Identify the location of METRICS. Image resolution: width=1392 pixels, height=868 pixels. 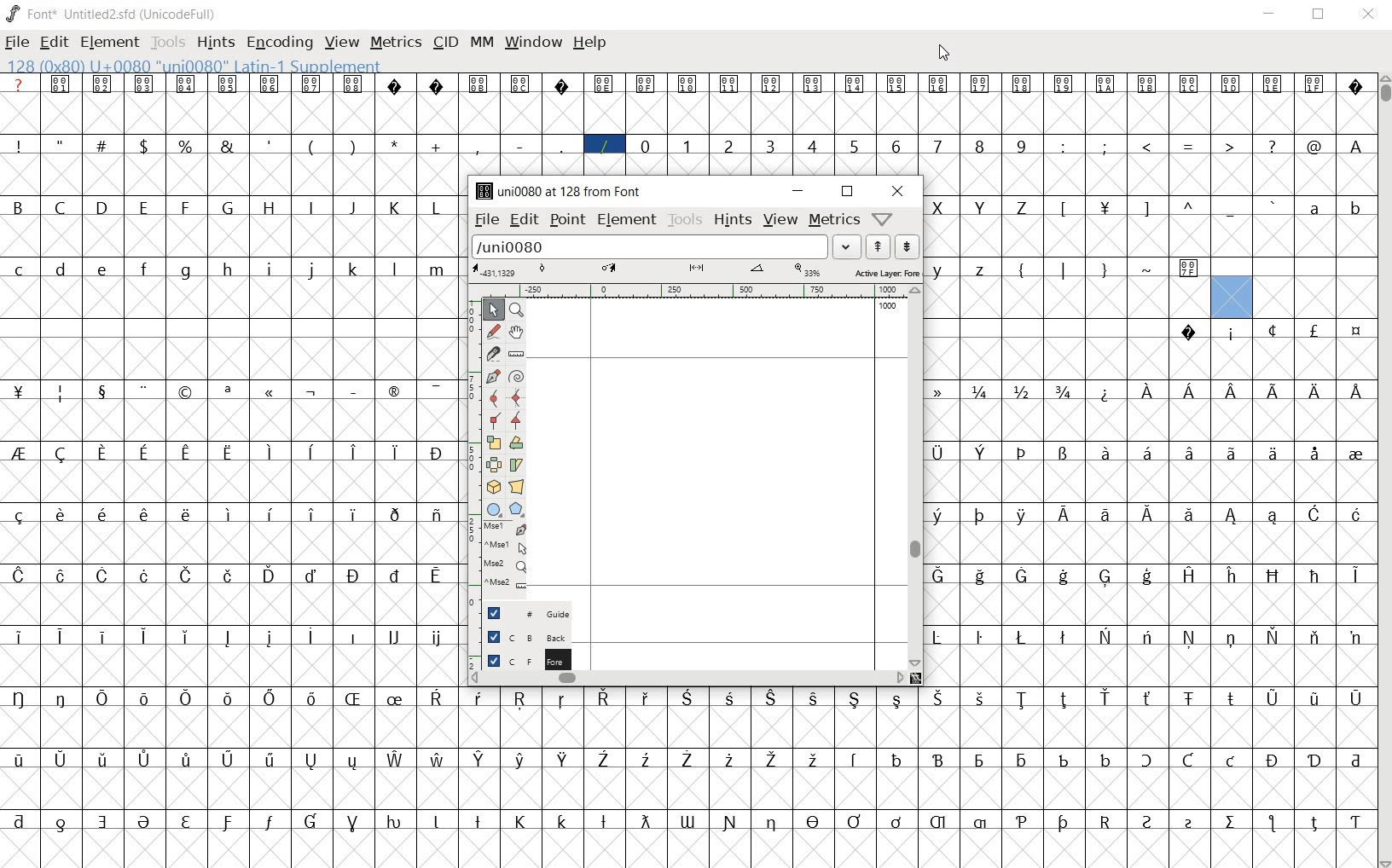
(396, 41).